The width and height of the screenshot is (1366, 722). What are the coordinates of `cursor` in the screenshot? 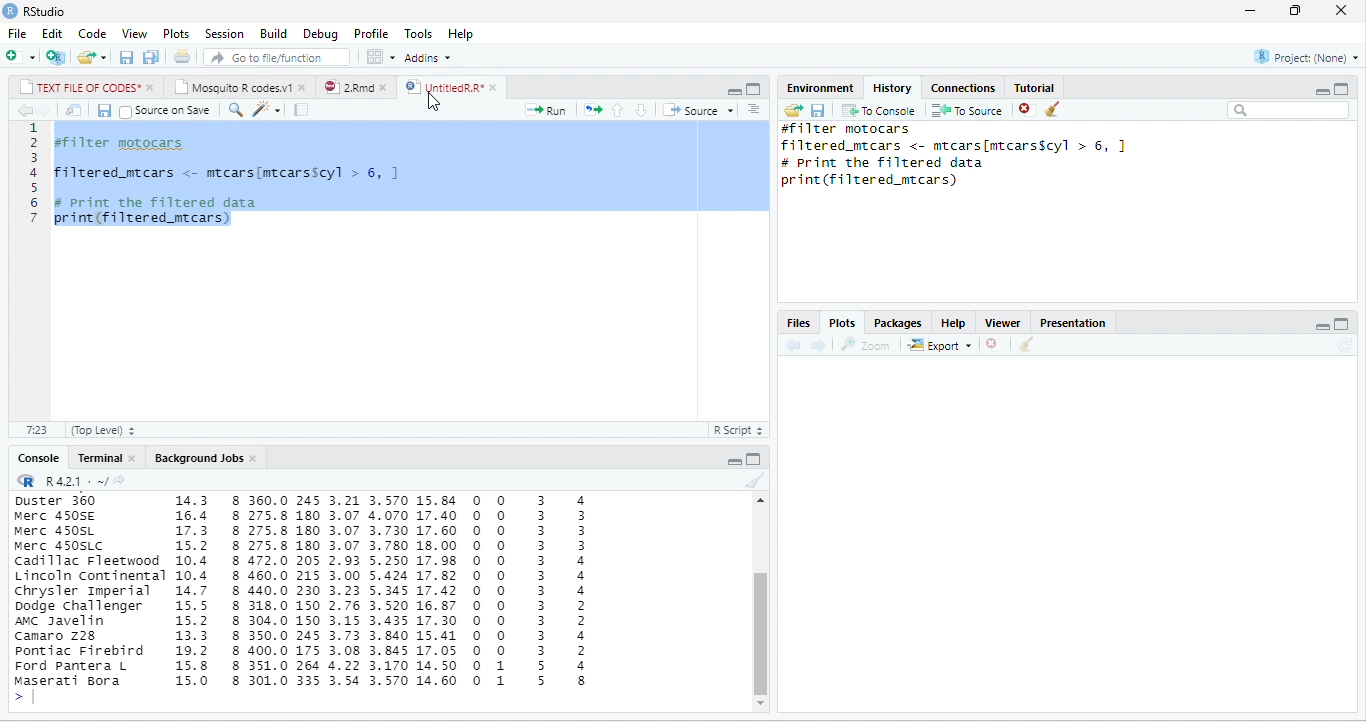 It's located at (434, 104).